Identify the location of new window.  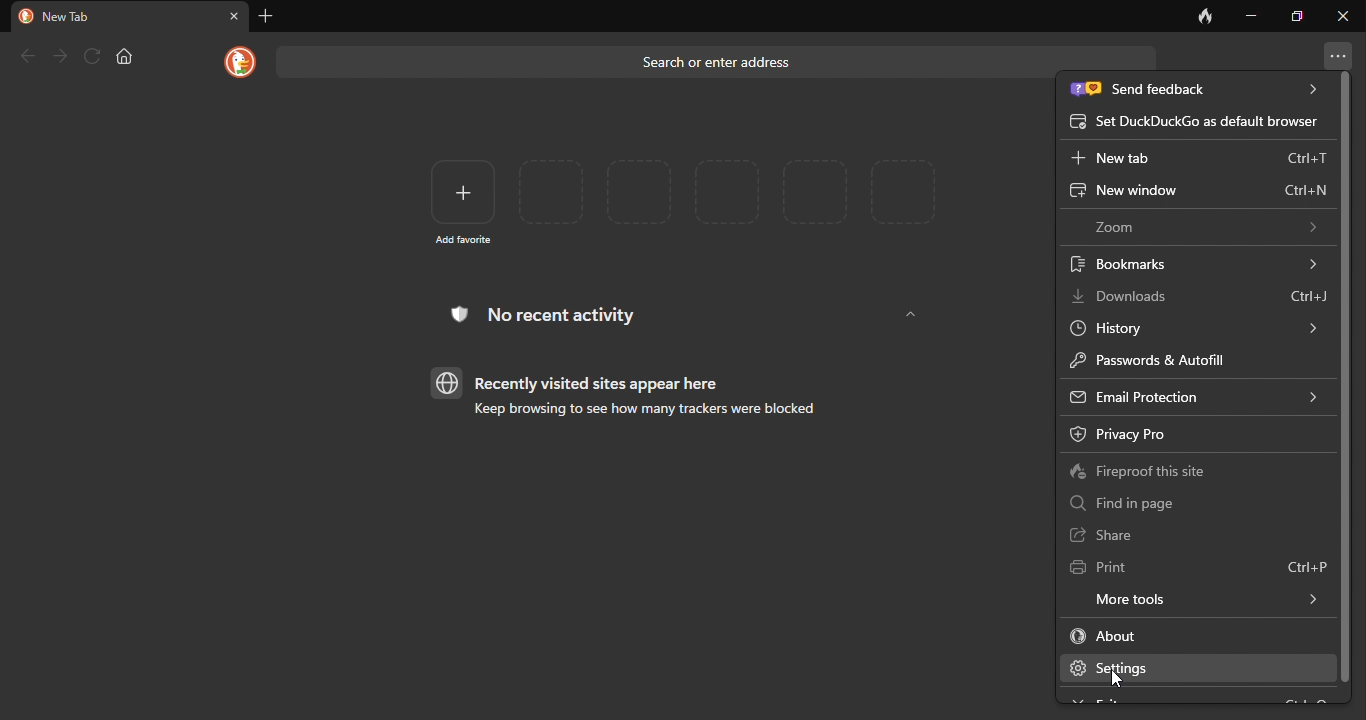
(1195, 192).